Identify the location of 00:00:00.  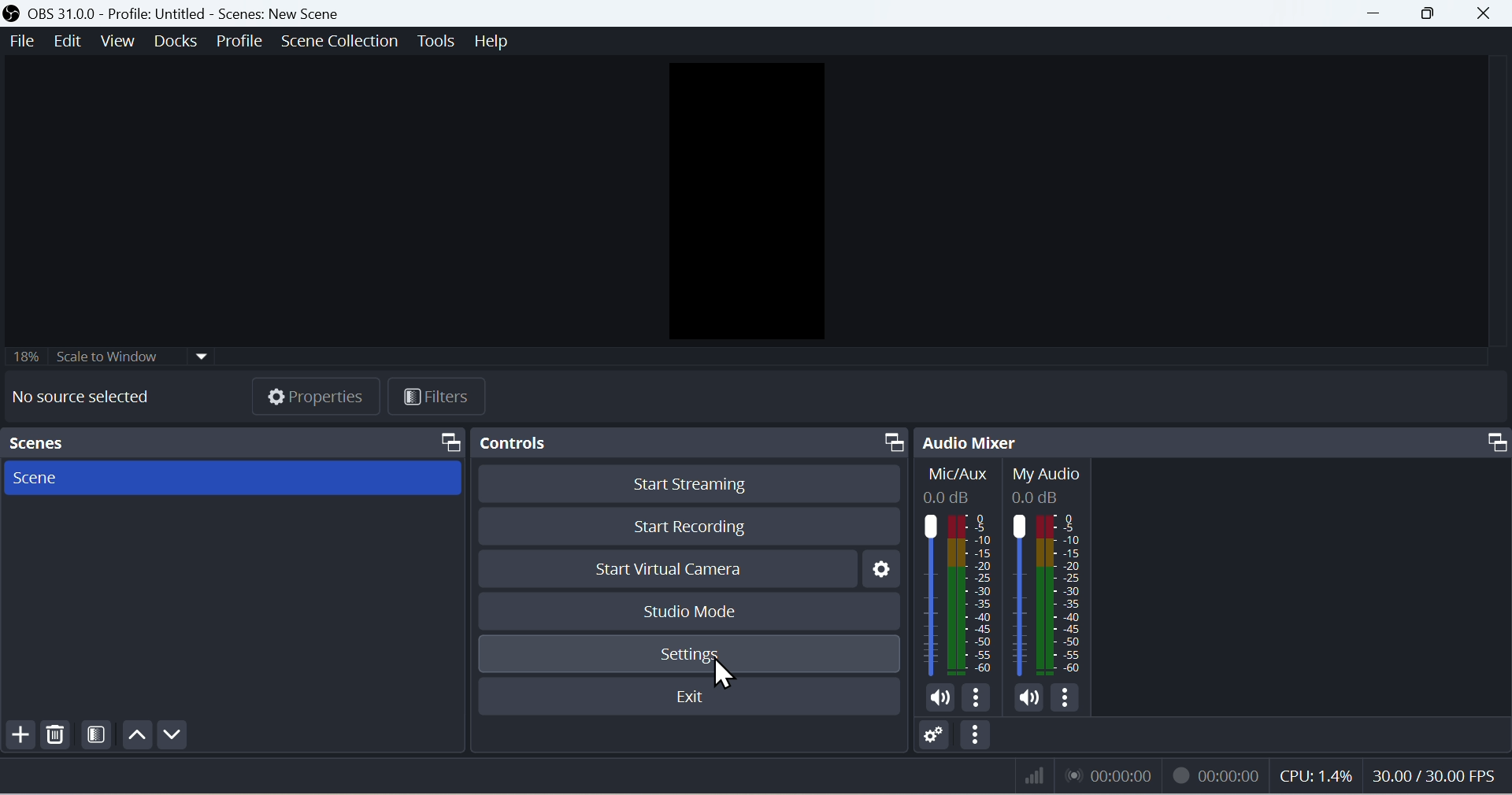
(1108, 775).